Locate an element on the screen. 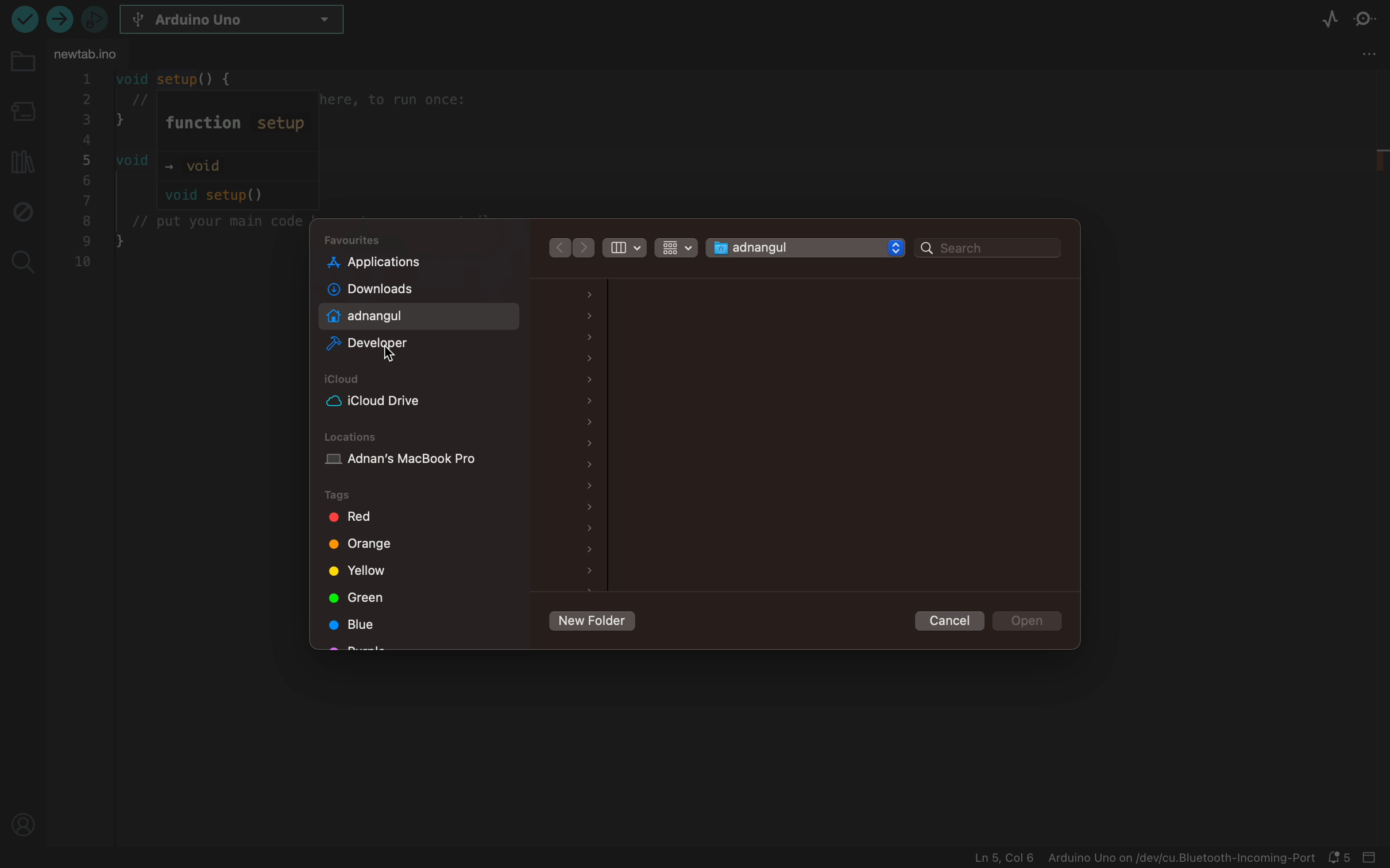 Image resolution: width=1390 pixels, height=868 pixels. folder is located at coordinates (22, 69).